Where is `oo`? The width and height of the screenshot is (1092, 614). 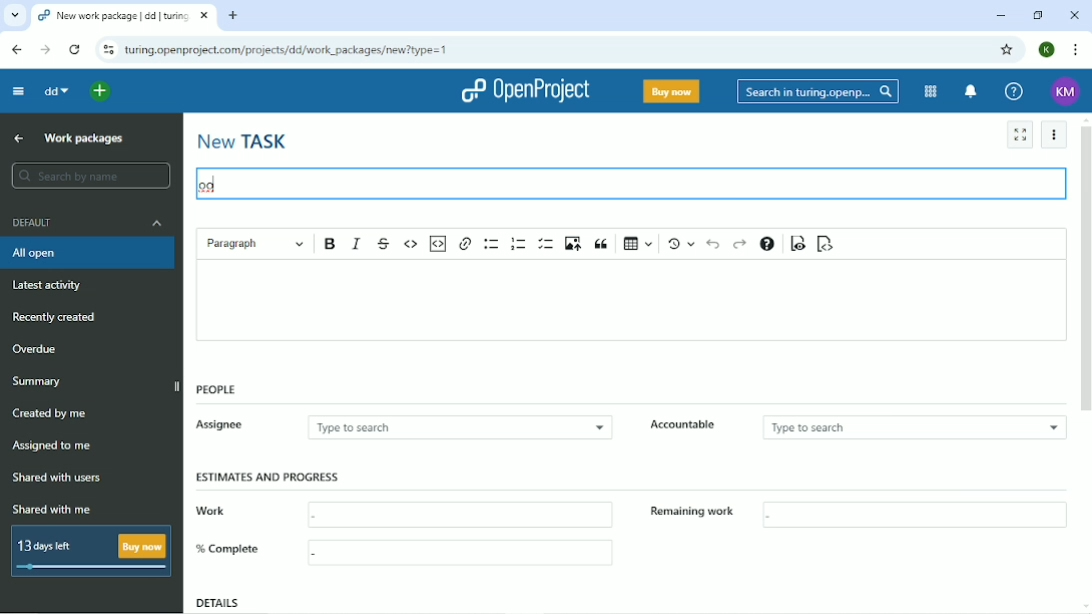 oo is located at coordinates (208, 182).